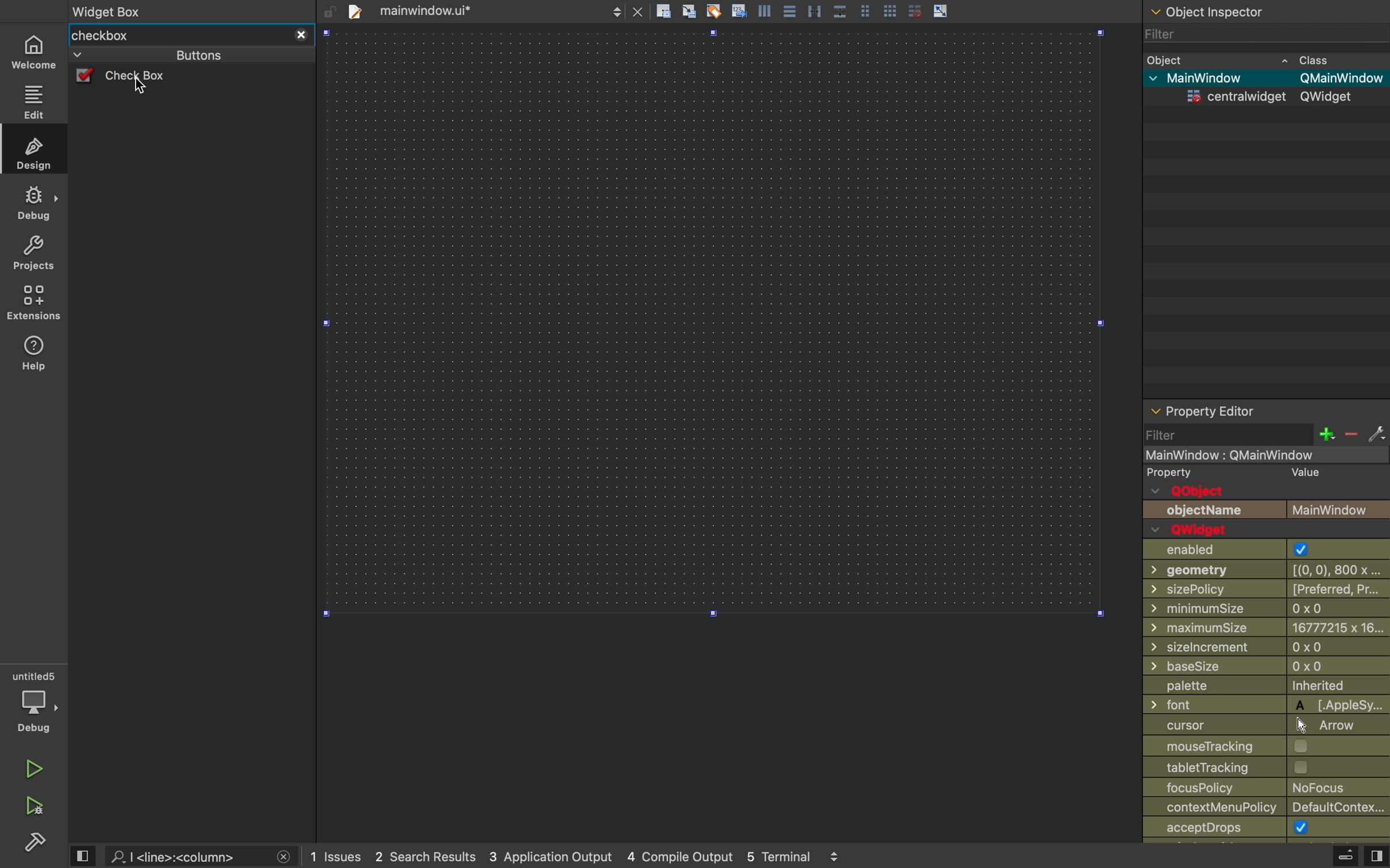  What do you see at coordinates (663, 11) in the screenshot?
I see `create rectangle` at bounding box center [663, 11].